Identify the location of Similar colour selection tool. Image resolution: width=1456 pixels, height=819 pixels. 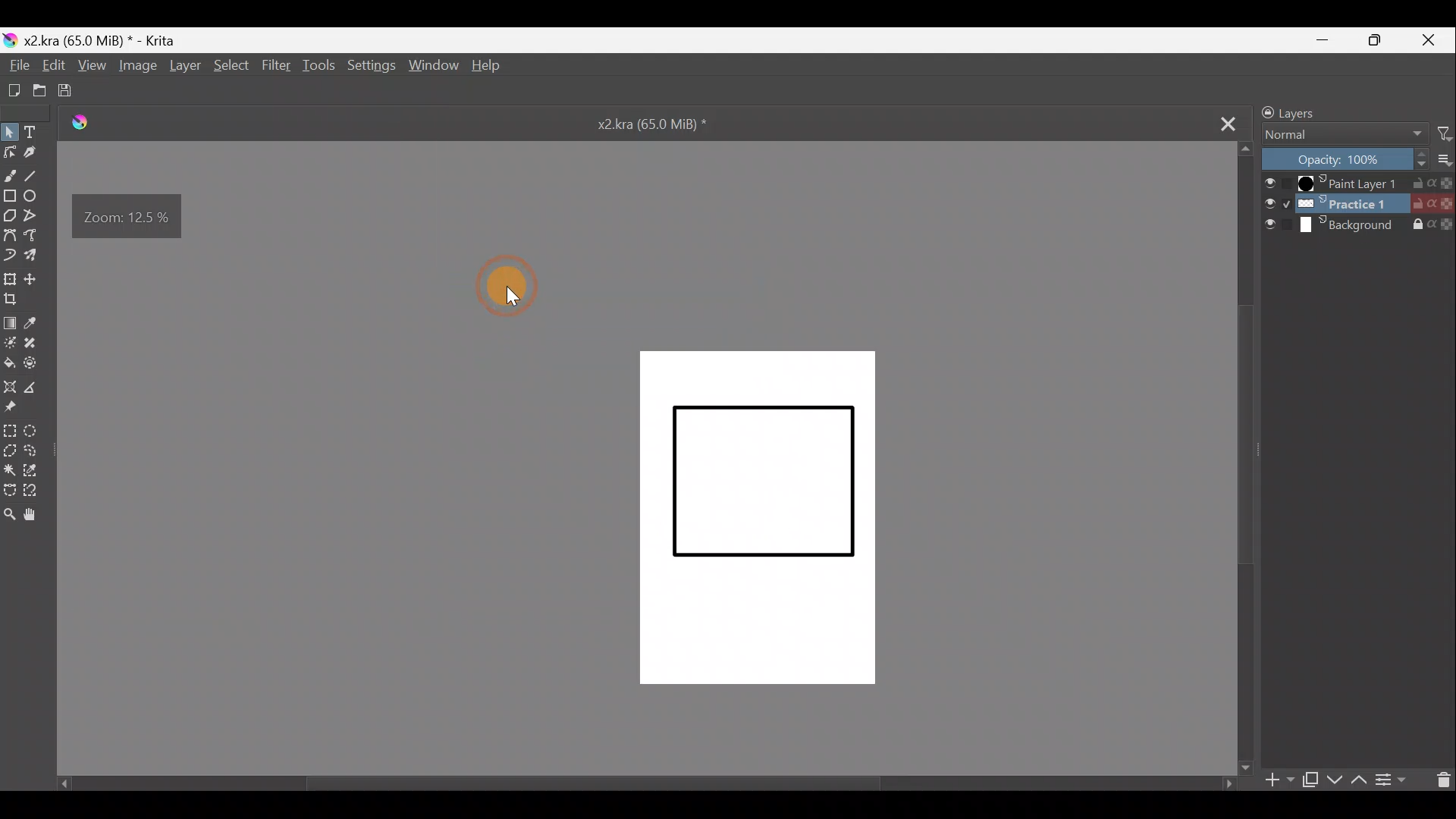
(38, 468).